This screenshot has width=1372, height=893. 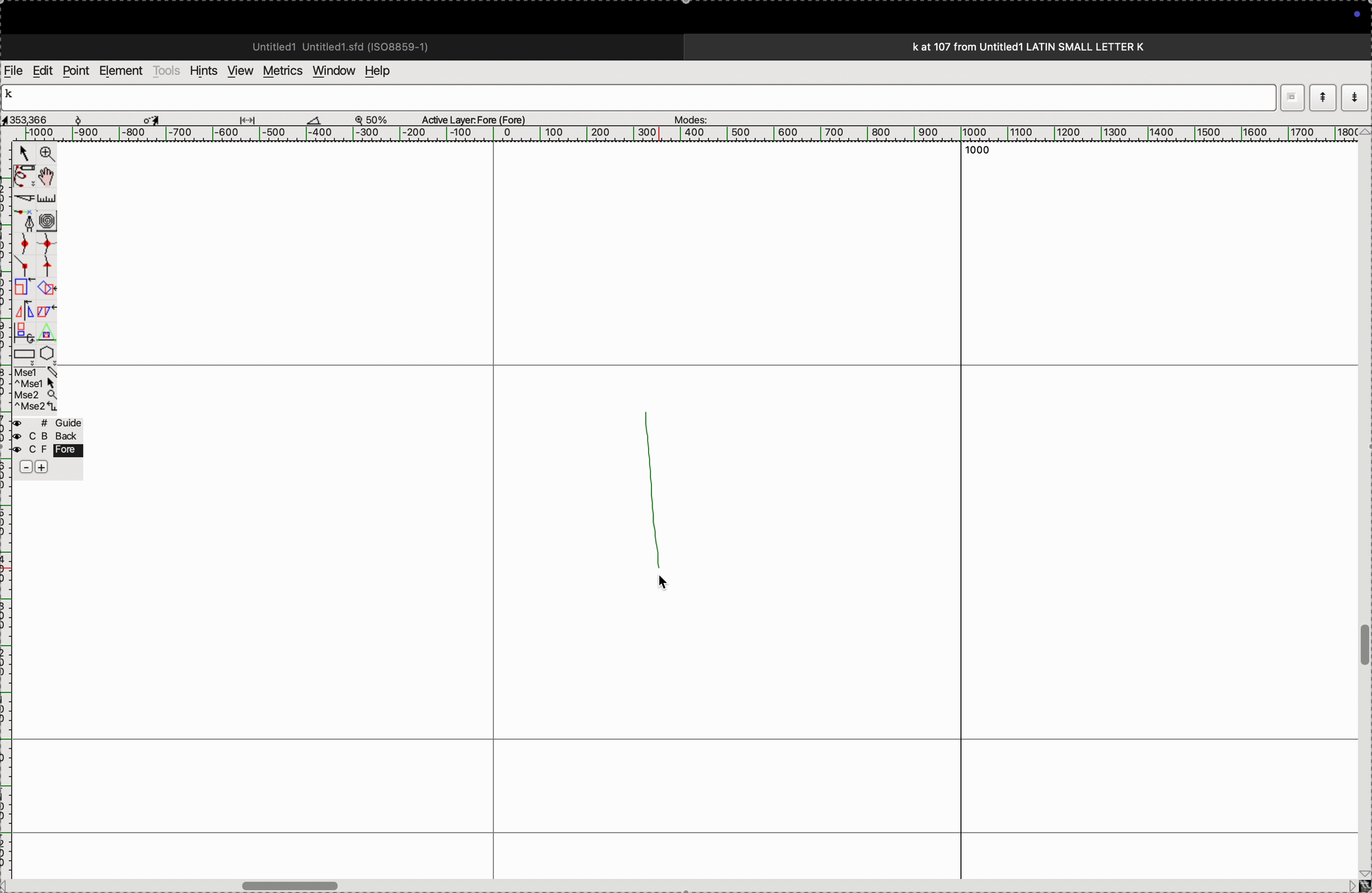 What do you see at coordinates (687, 116) in the screenshot?
I see `modes` at bounding box center [687, 116].